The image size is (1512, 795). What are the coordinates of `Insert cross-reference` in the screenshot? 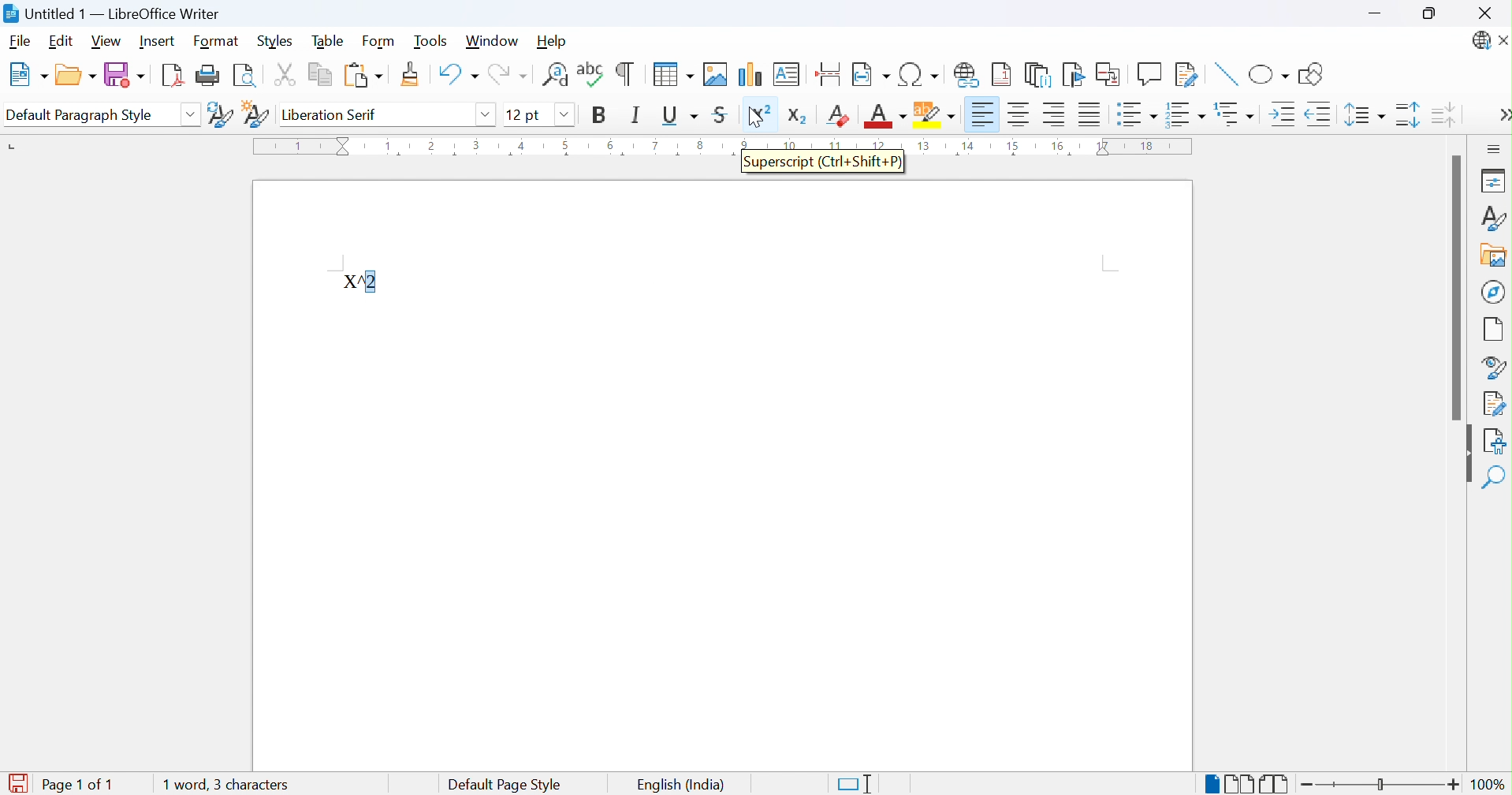 It's located at (1108, 76).